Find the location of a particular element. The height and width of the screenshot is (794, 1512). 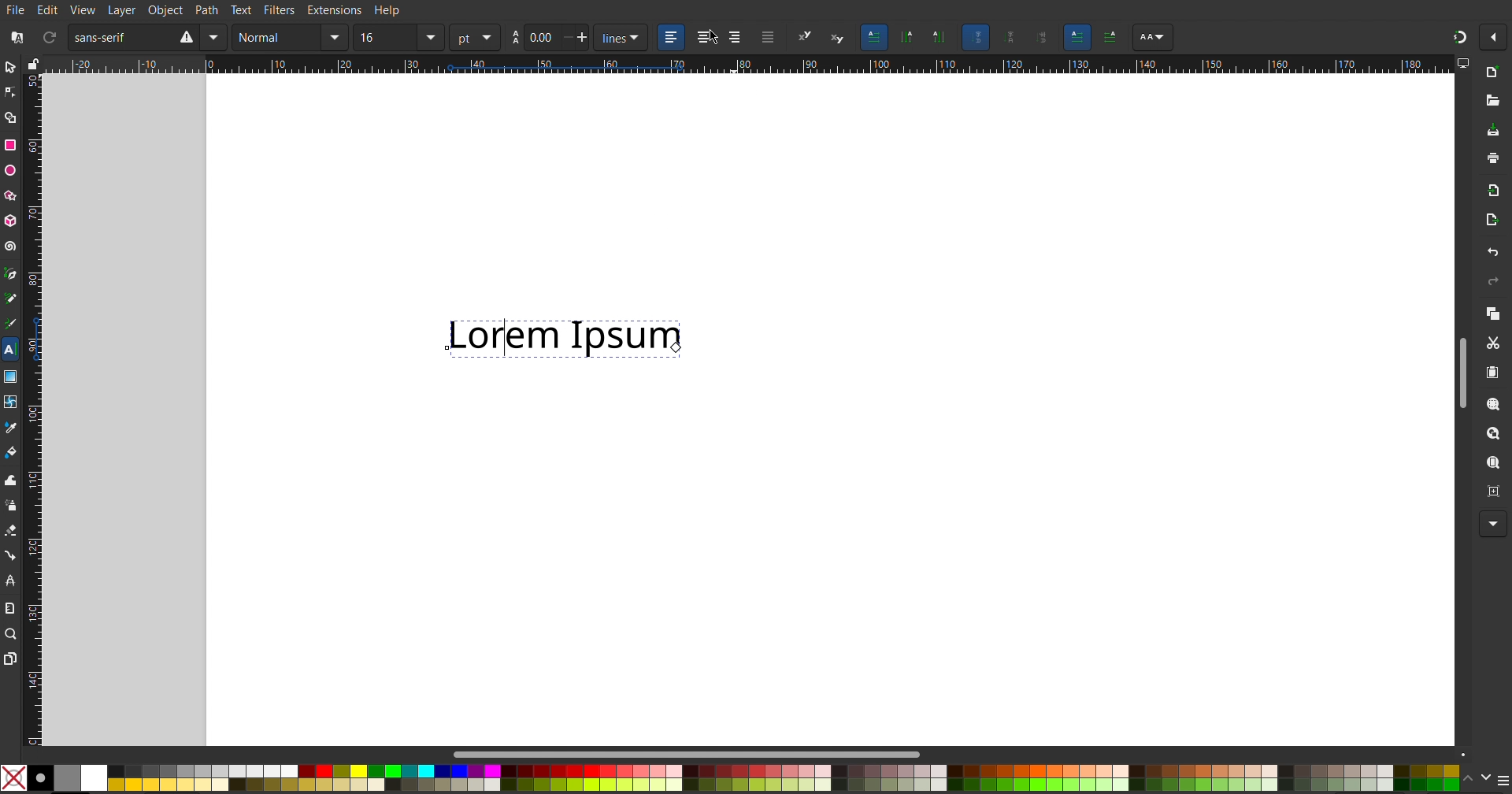

Connector is located at coordinates (13, 555).